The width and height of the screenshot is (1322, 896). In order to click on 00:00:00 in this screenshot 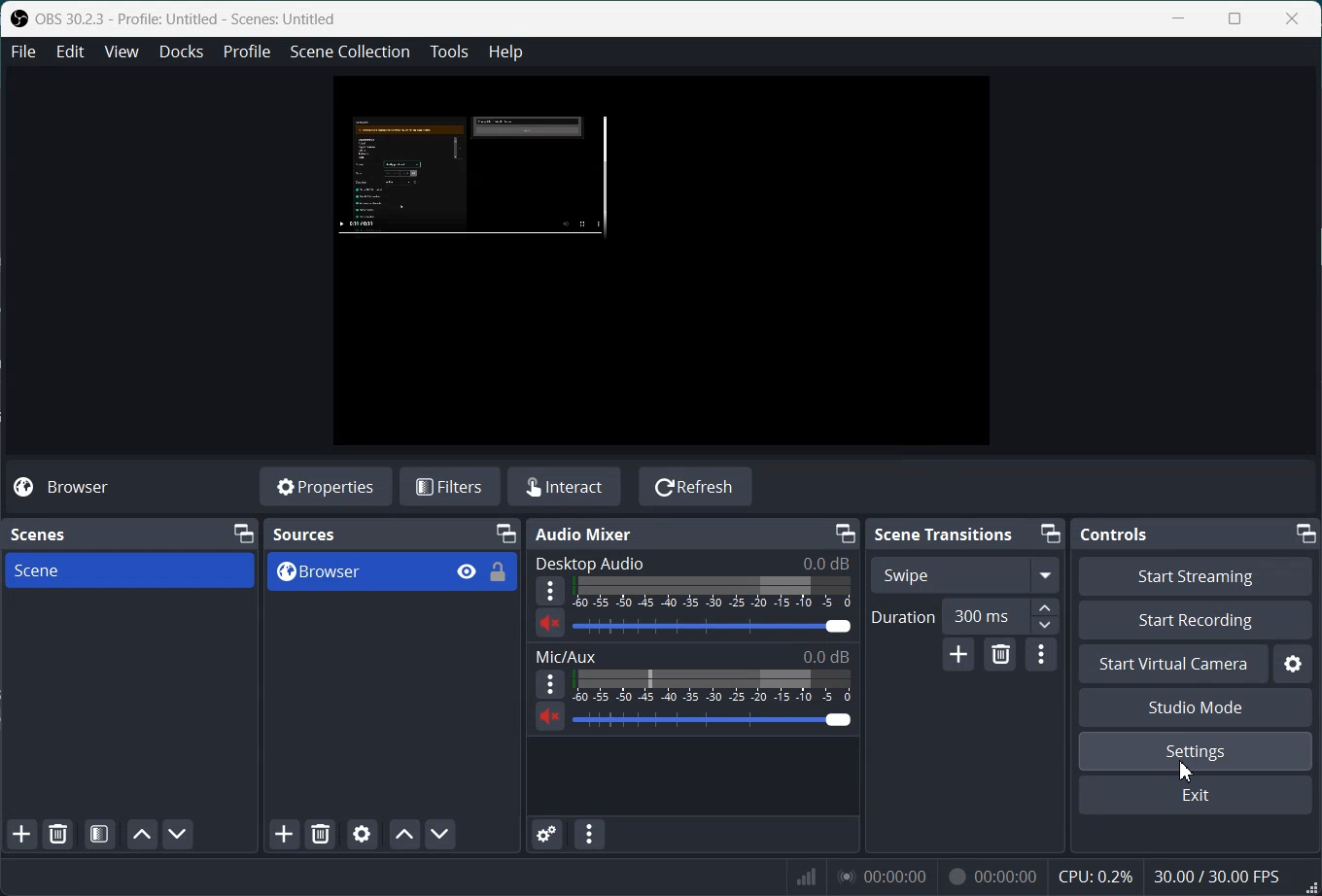, I will do `click(991, 875)`.